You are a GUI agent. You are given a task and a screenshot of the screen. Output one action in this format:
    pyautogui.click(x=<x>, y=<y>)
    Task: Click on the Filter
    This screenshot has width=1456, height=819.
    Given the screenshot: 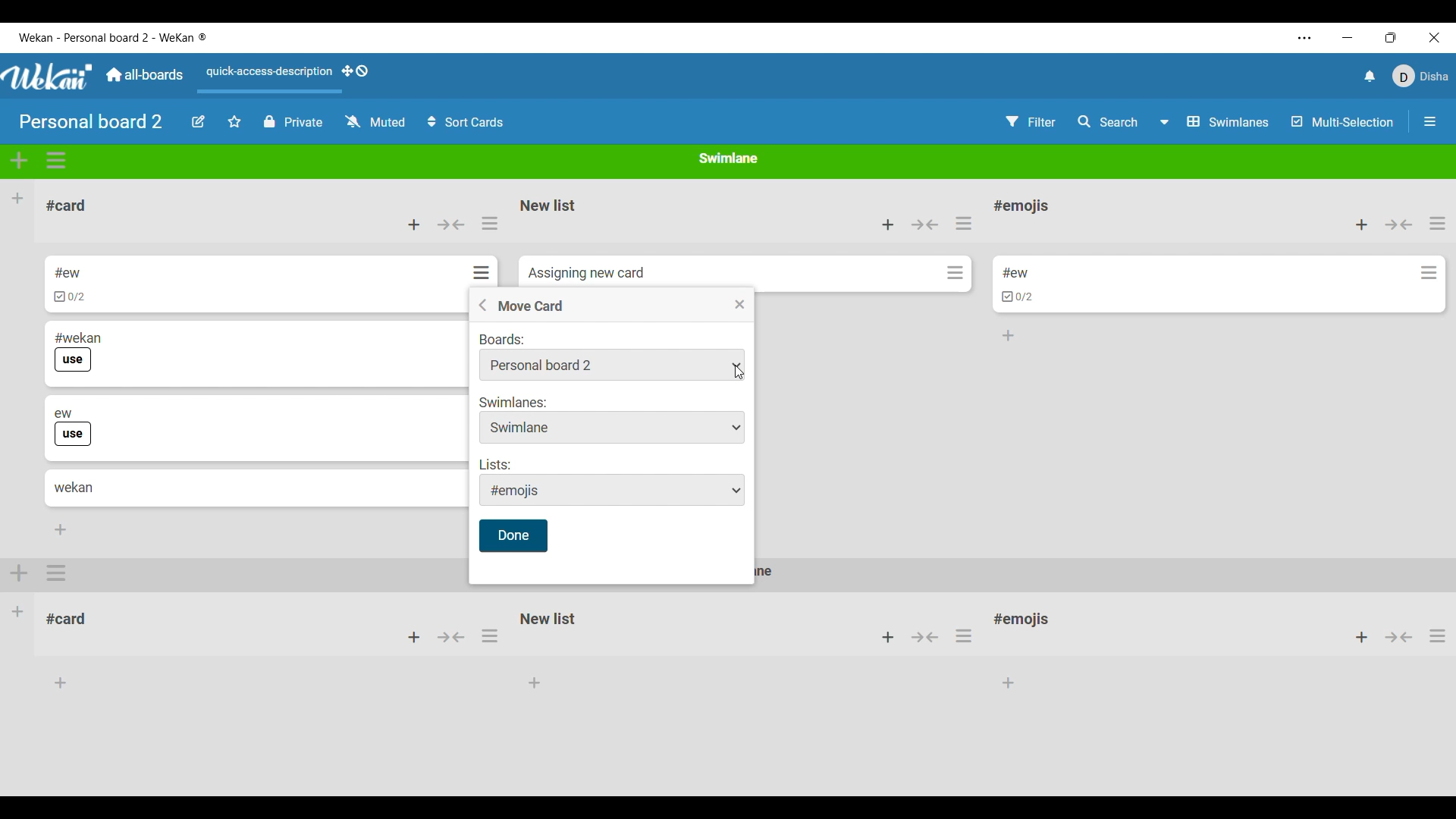 What is the action you would take?
    pyautogui.click(x=1031, y=122)
    